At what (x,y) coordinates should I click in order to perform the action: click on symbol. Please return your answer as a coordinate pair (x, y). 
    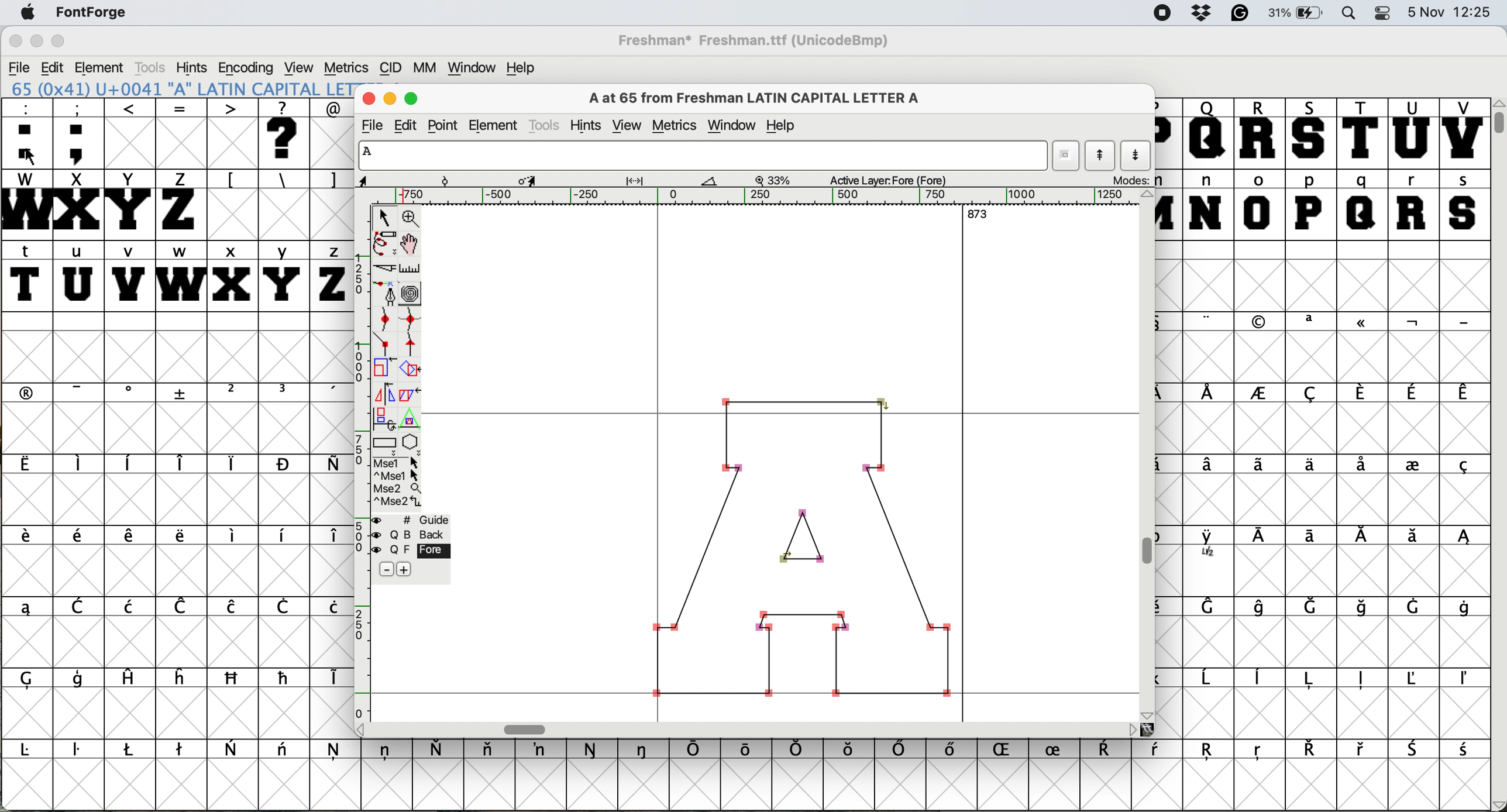
    Looking at the image, I should click on (1412, 393).